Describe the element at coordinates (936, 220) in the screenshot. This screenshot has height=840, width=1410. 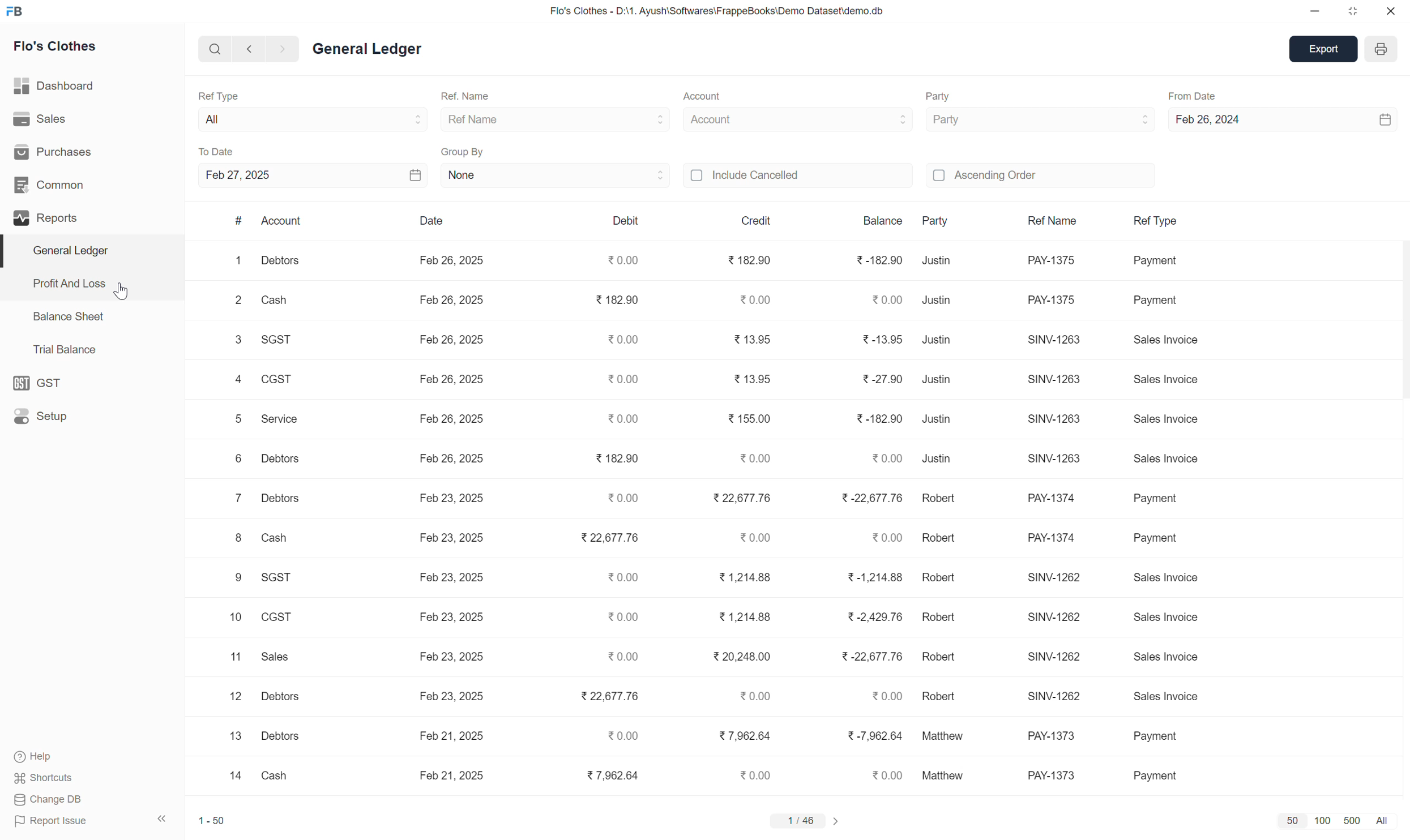
I see `Party` at that location.